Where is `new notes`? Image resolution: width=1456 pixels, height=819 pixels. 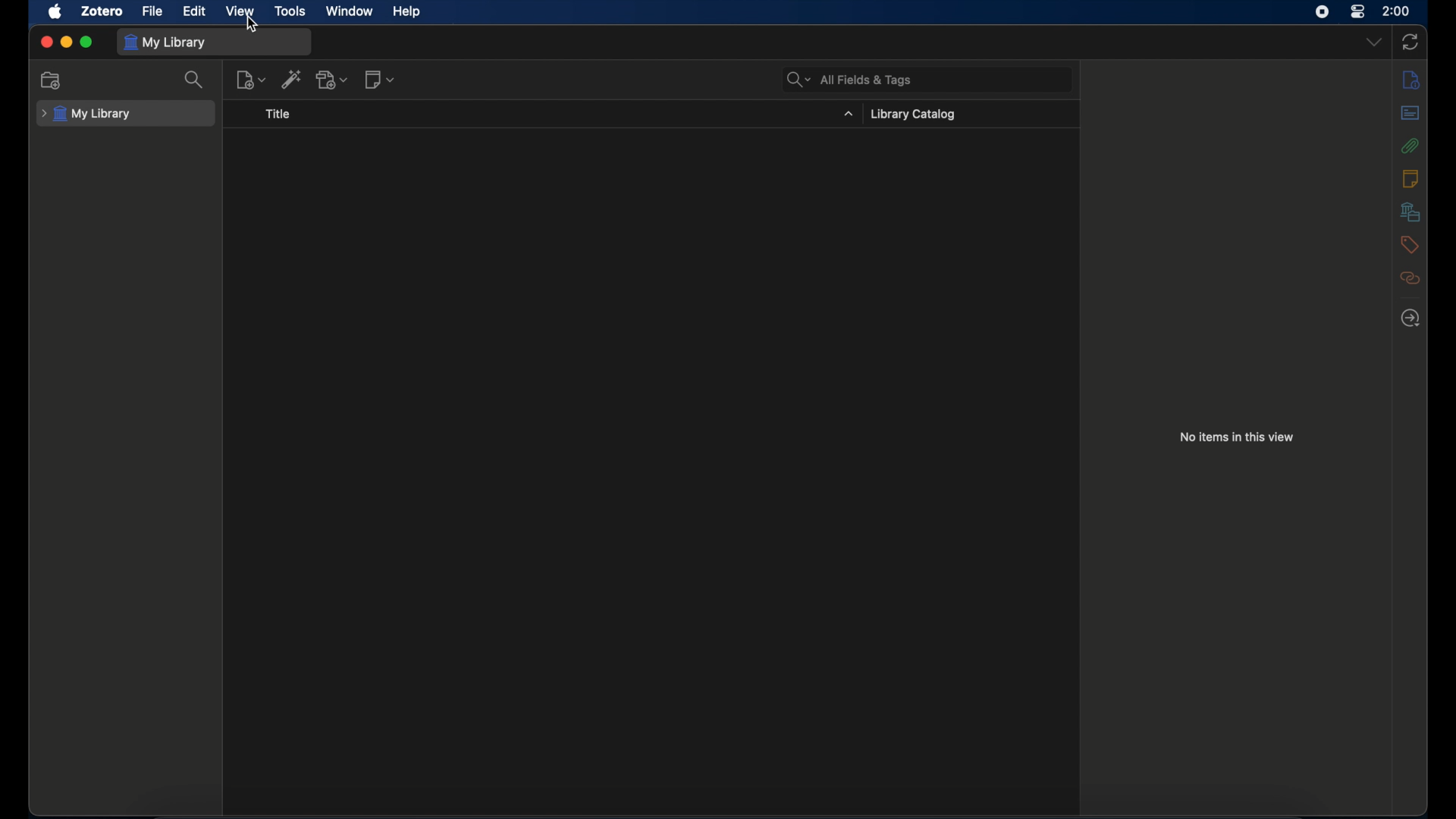
new notes is located at coordinates (381, 80).